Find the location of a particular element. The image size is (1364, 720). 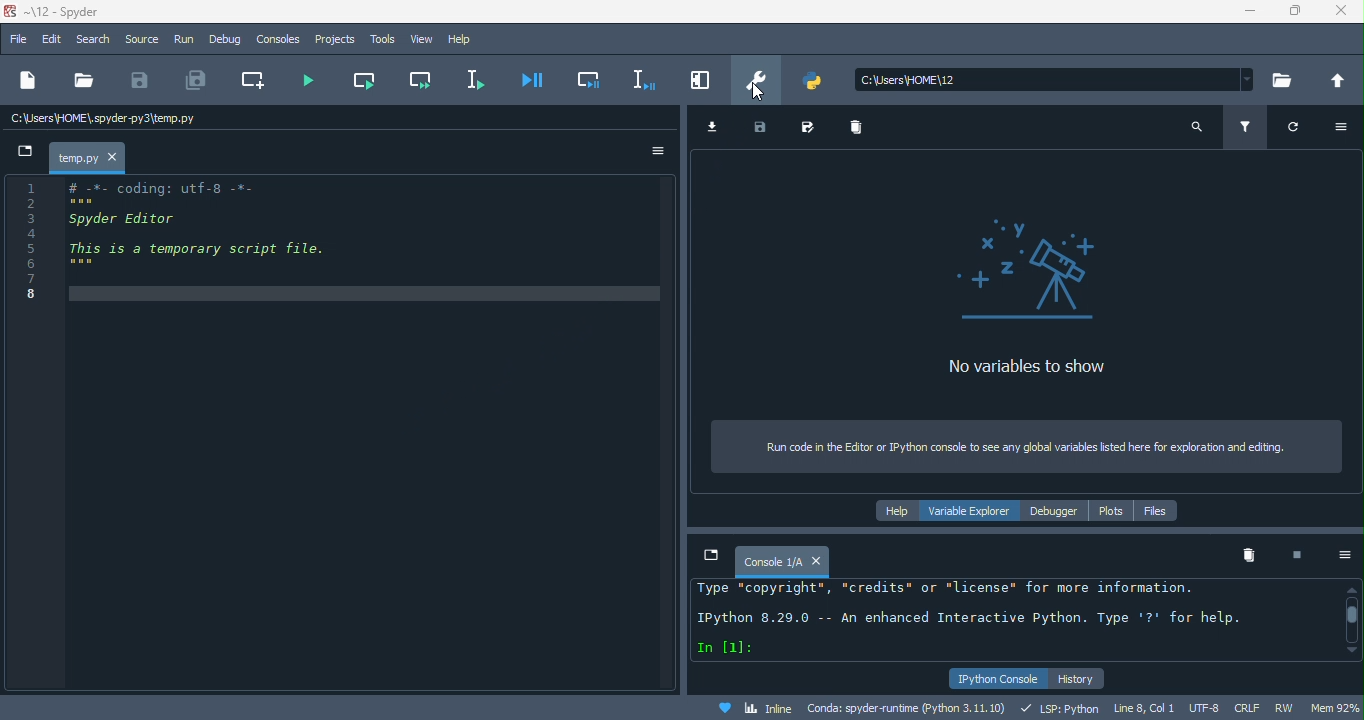

plots is located at coordinates (1112, 512).